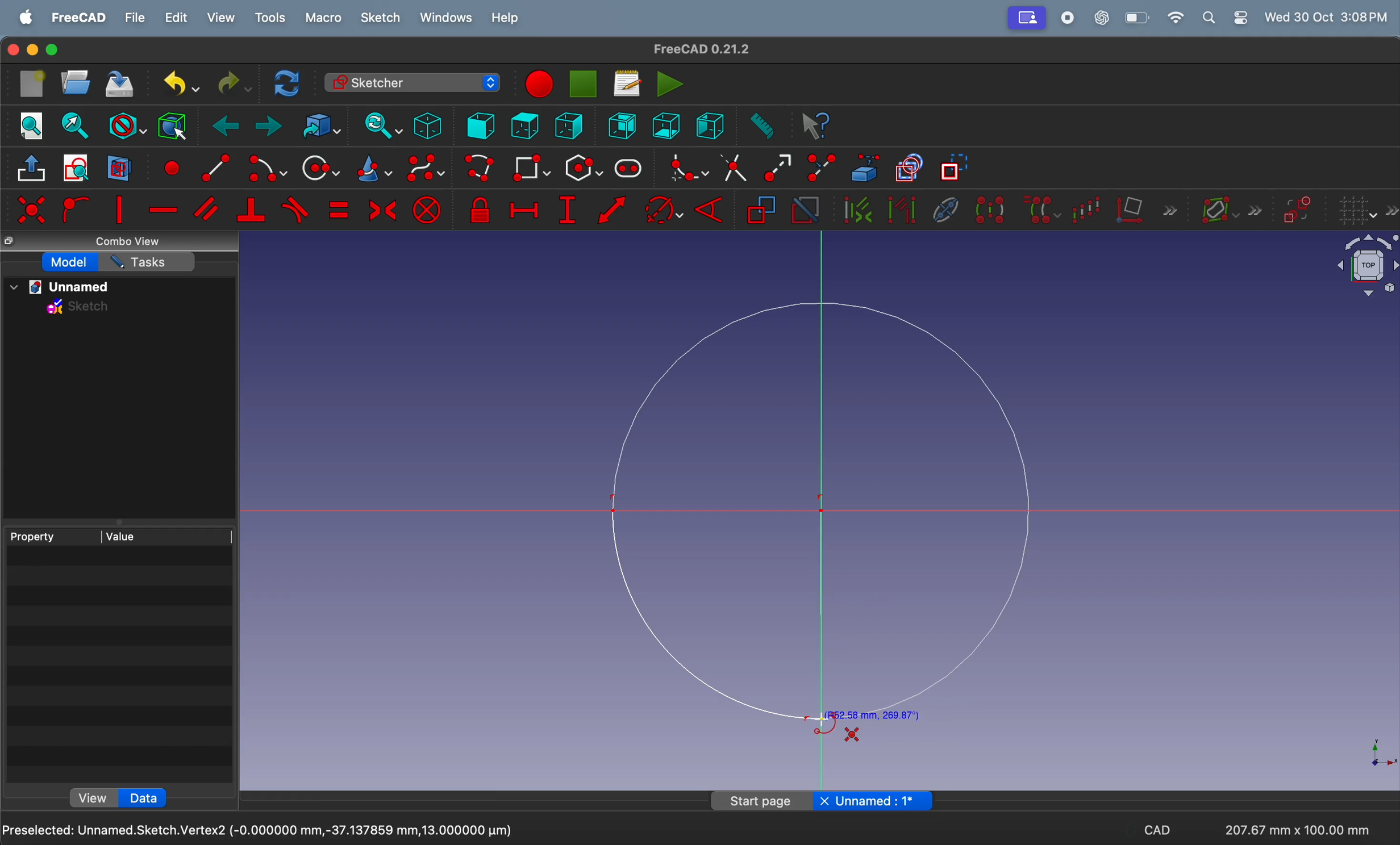 This screenshot has height=845, width=1400. Describe the element at coordinates (902, 211) in the screenshot. I see `select associated geometry` at that location.